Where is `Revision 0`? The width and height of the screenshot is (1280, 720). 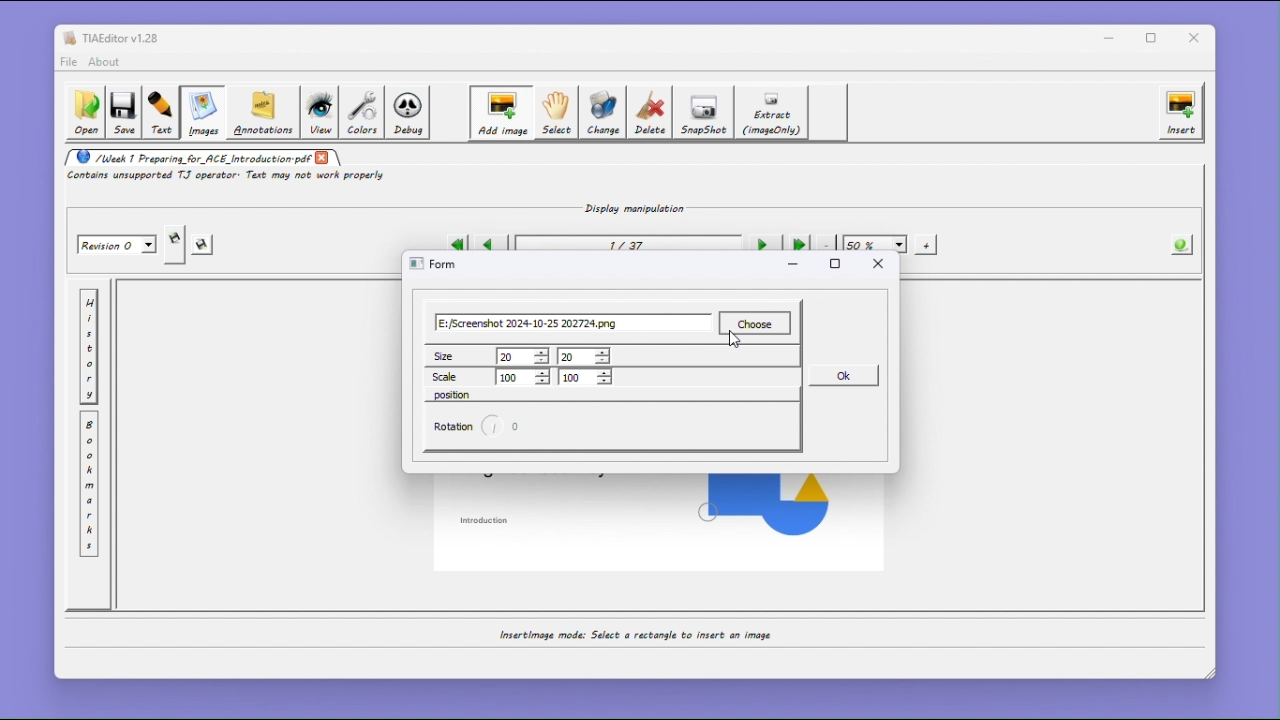
Revision 0 is located at coordinates (118, 245).